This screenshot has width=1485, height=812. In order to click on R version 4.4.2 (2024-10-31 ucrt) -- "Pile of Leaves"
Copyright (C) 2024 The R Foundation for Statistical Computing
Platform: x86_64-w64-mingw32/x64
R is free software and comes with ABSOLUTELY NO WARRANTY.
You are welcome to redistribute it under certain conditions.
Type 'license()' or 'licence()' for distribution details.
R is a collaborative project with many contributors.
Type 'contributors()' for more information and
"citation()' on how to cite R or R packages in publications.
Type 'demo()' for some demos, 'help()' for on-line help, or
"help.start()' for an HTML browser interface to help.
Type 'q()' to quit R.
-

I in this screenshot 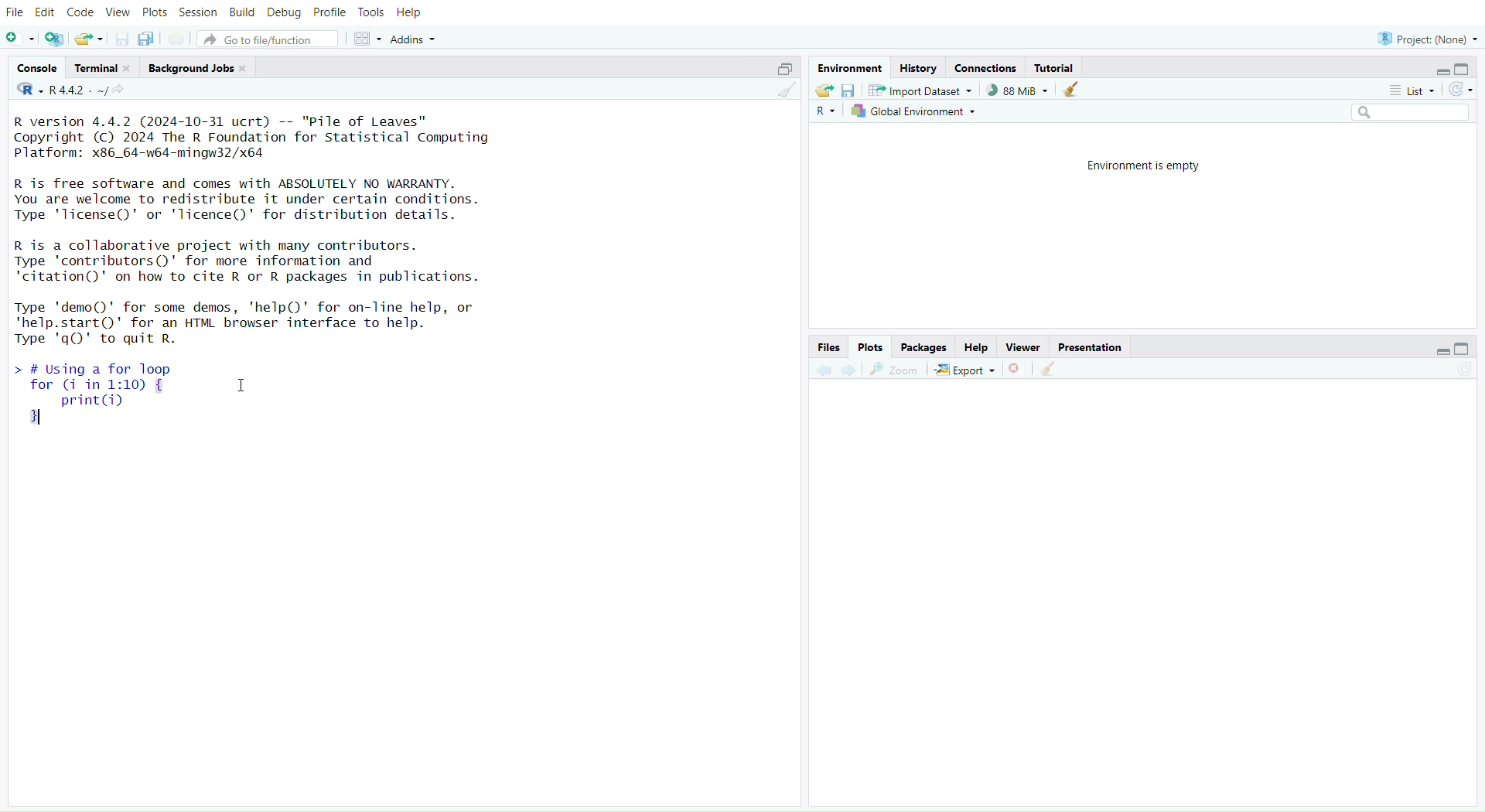, I will do `click(265, 228)`.